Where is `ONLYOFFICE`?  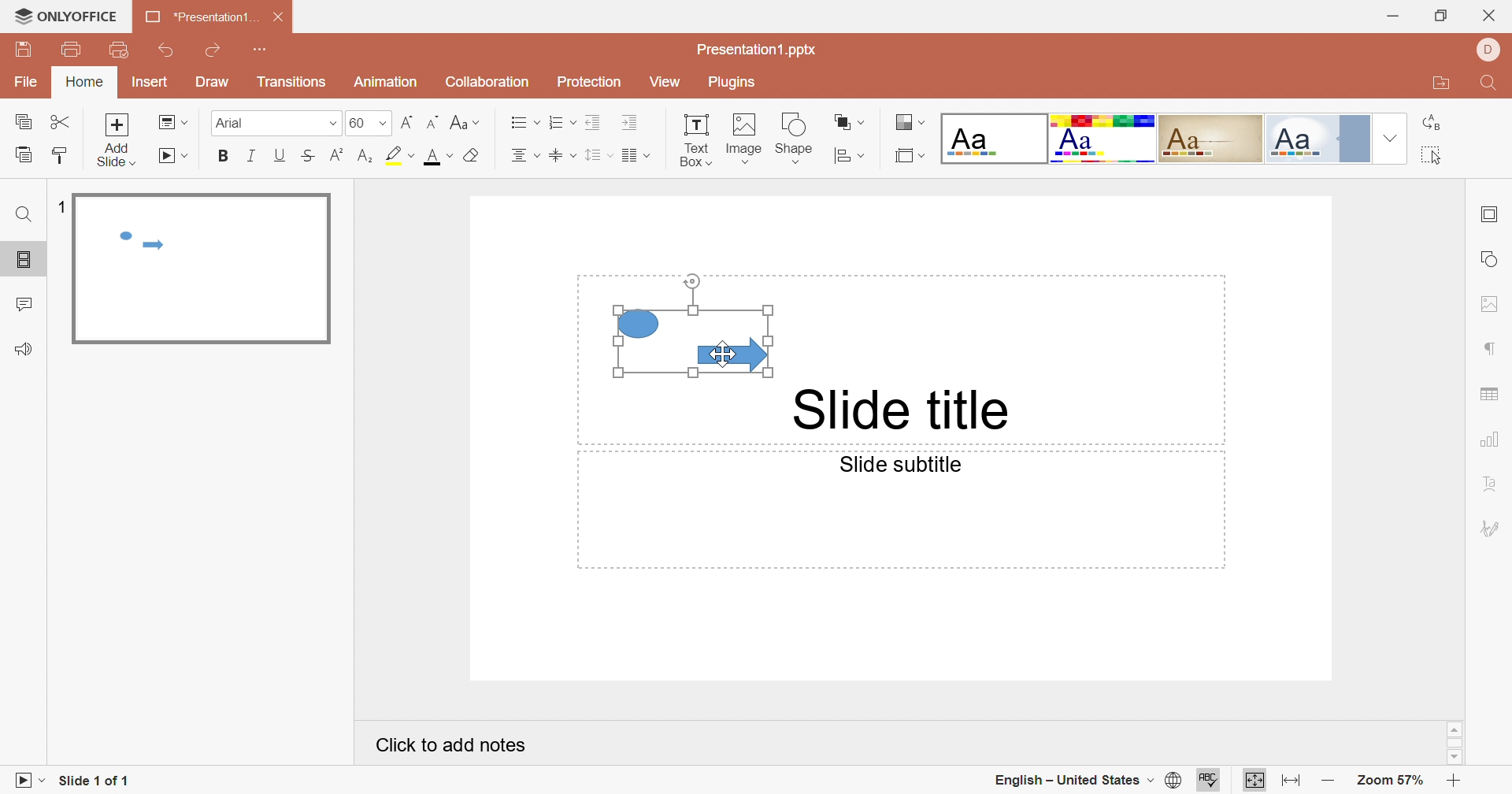
ONLYOFFICE is located at coordinates (64, 16).